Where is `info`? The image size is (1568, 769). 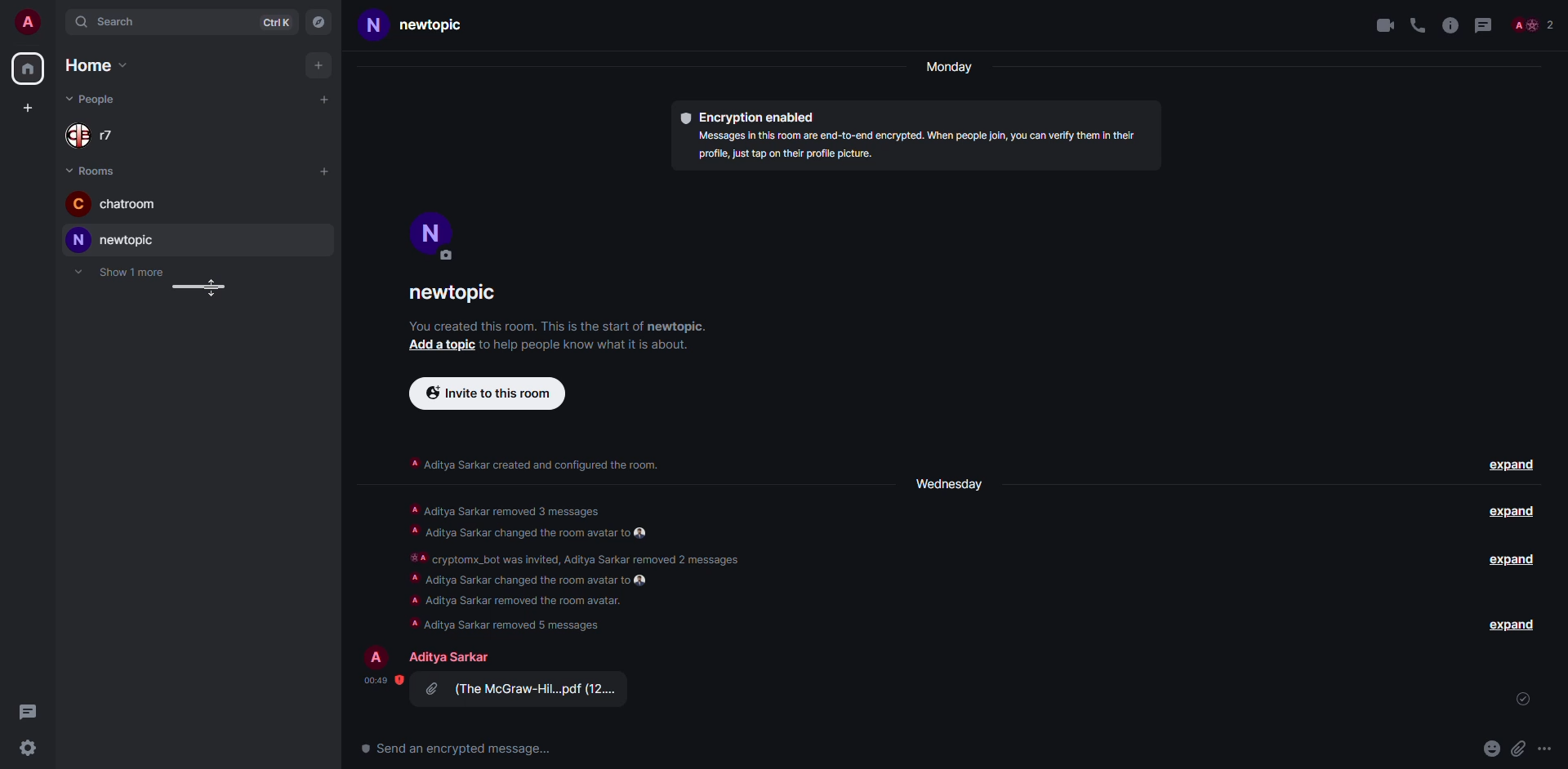
info is located at coordinates (1450, 24).